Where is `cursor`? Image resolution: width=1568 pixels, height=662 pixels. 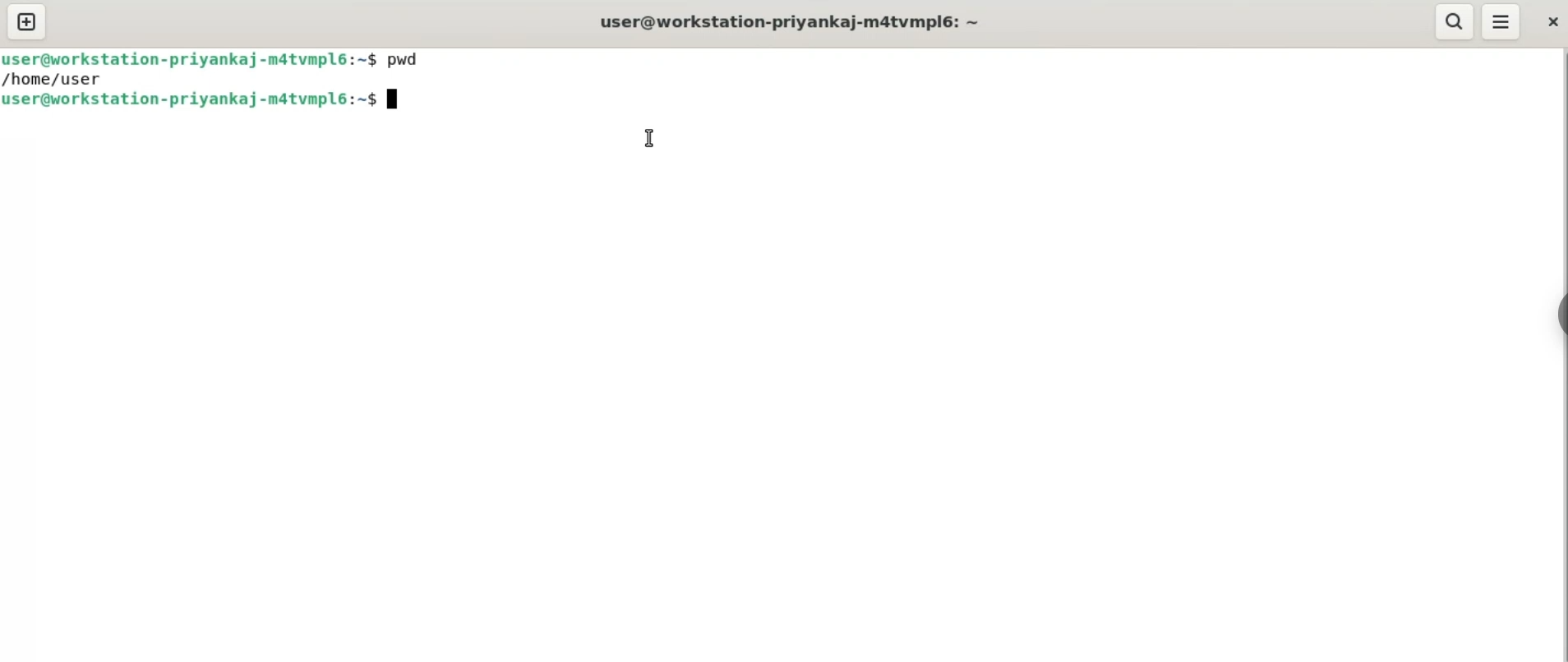 cursor is located at coordinates (643, 137).